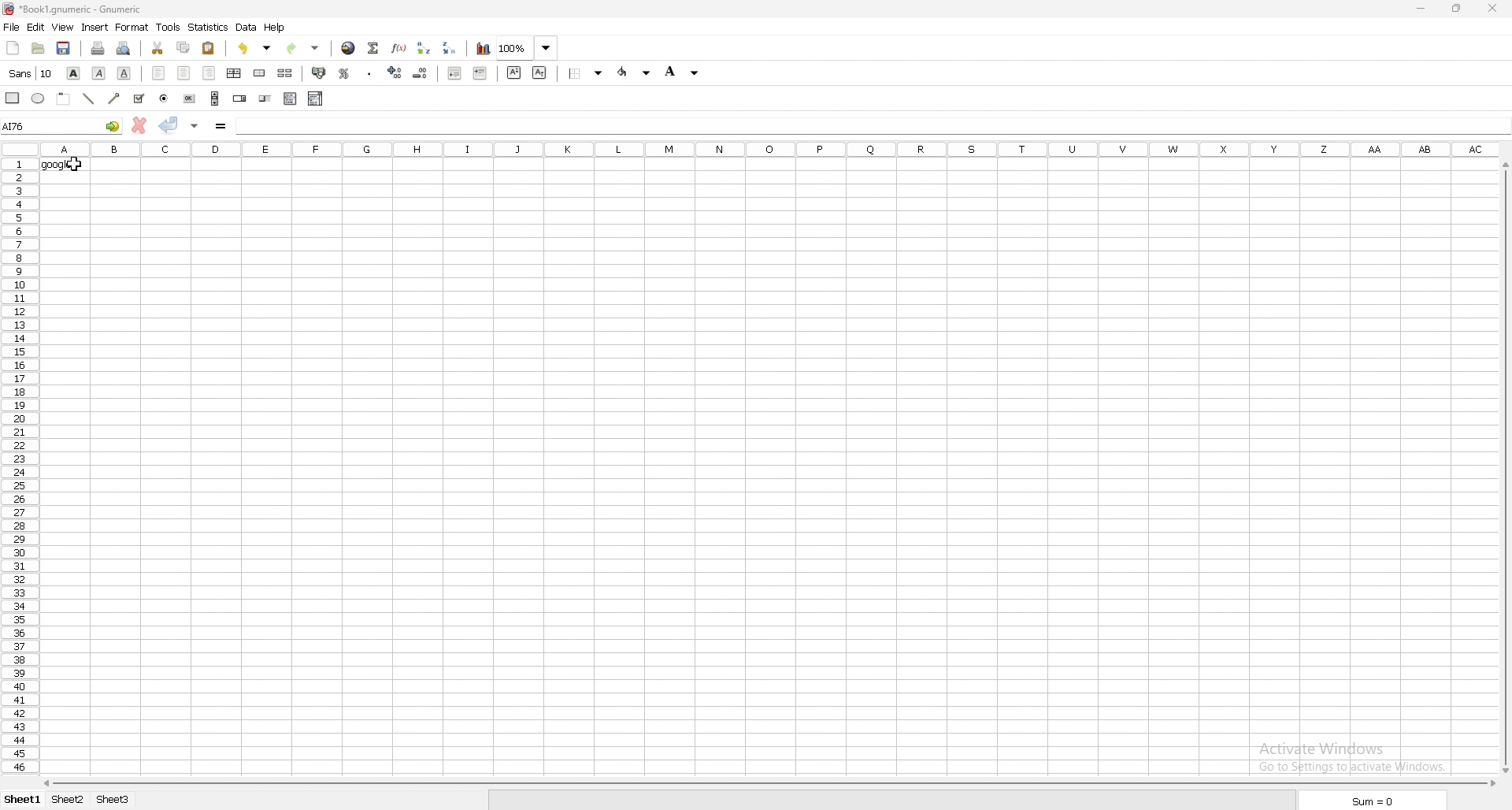  I want to click on cell input, so click(869, 124).